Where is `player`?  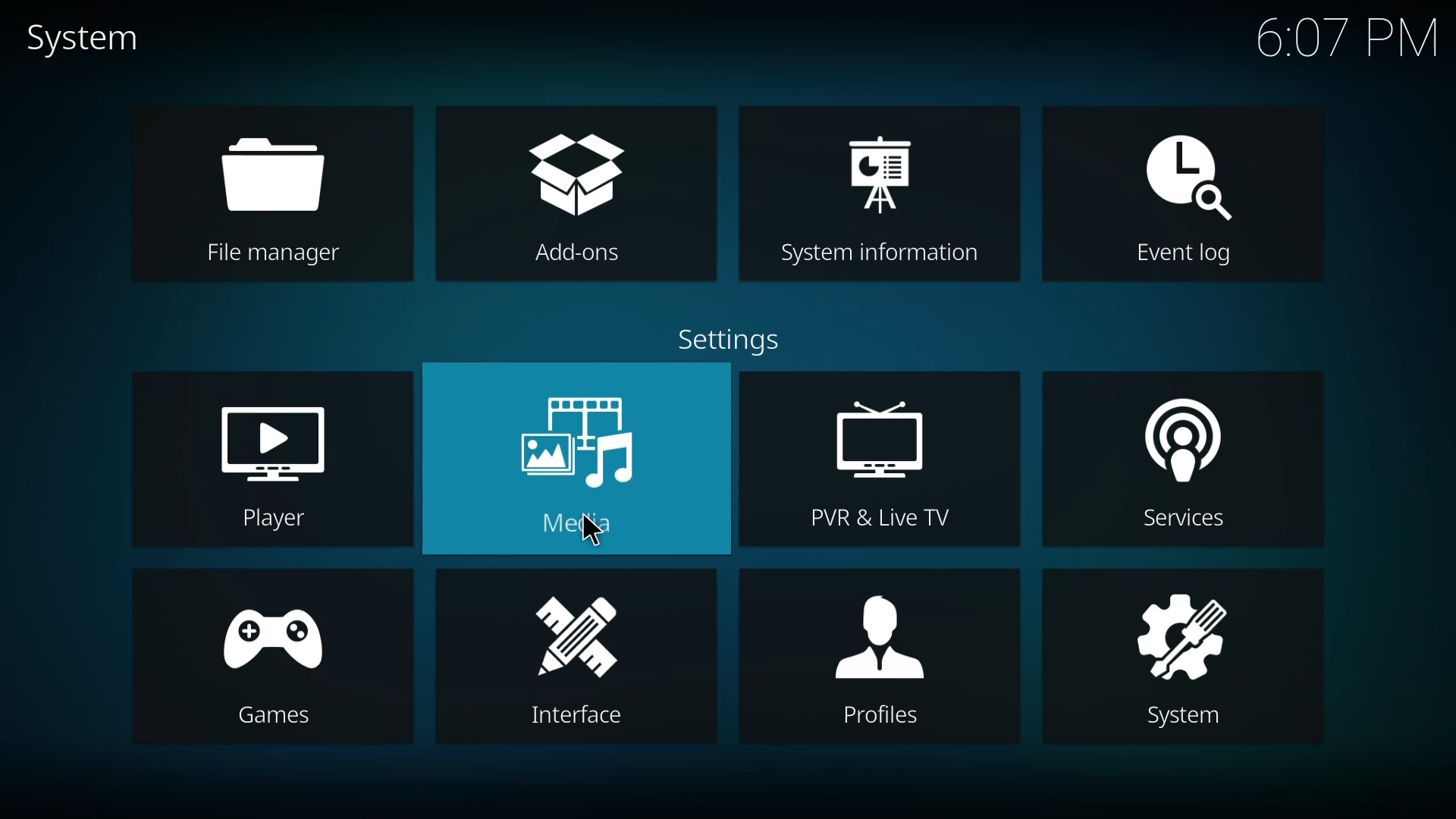 player is located at coordinates (275, 439).